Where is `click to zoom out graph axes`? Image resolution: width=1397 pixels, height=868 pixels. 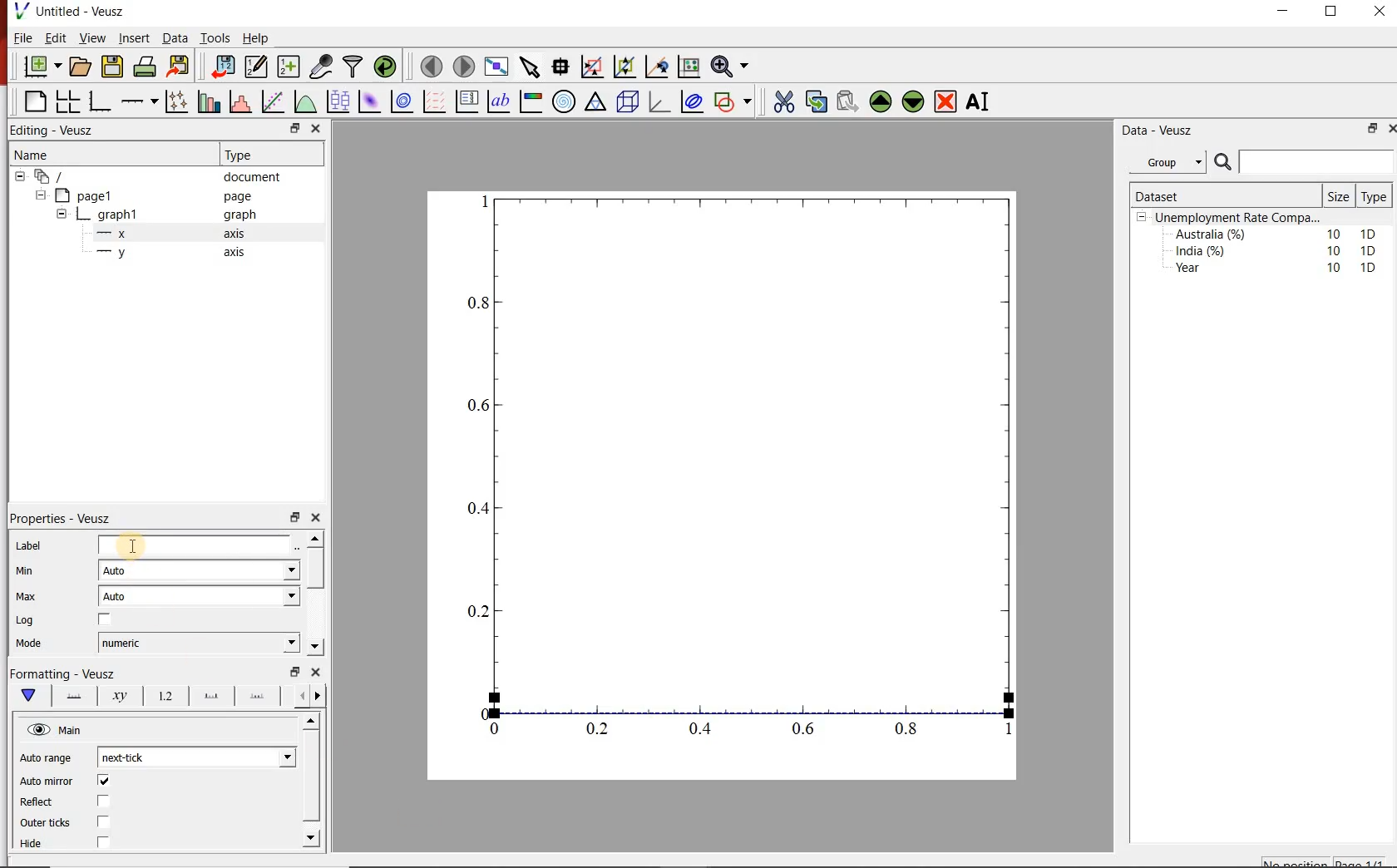 click to zoom out graph axes is located at coordinates (625, 65).